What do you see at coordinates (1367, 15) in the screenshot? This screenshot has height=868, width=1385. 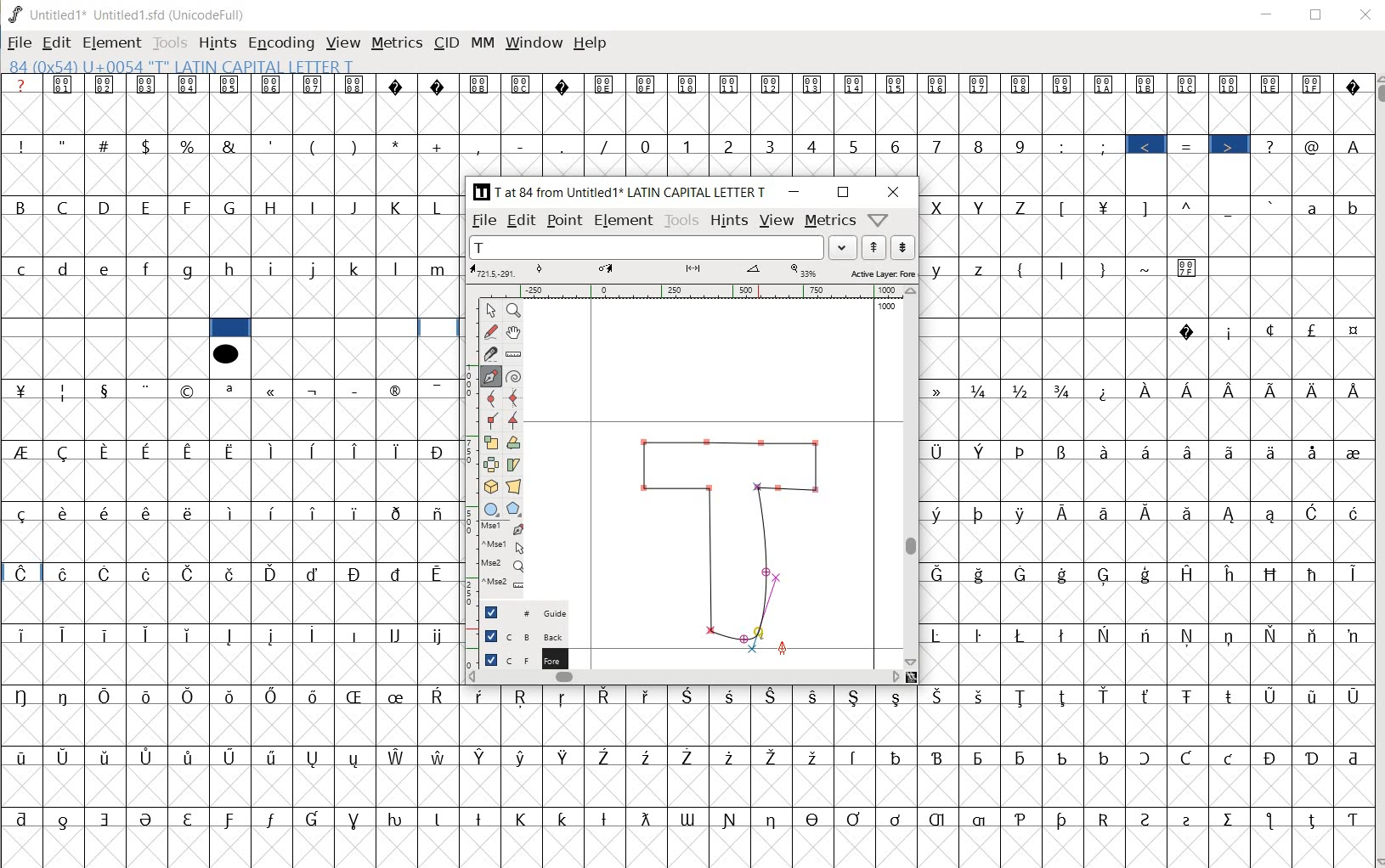 I see `close` at bounding box center [1367, 15].